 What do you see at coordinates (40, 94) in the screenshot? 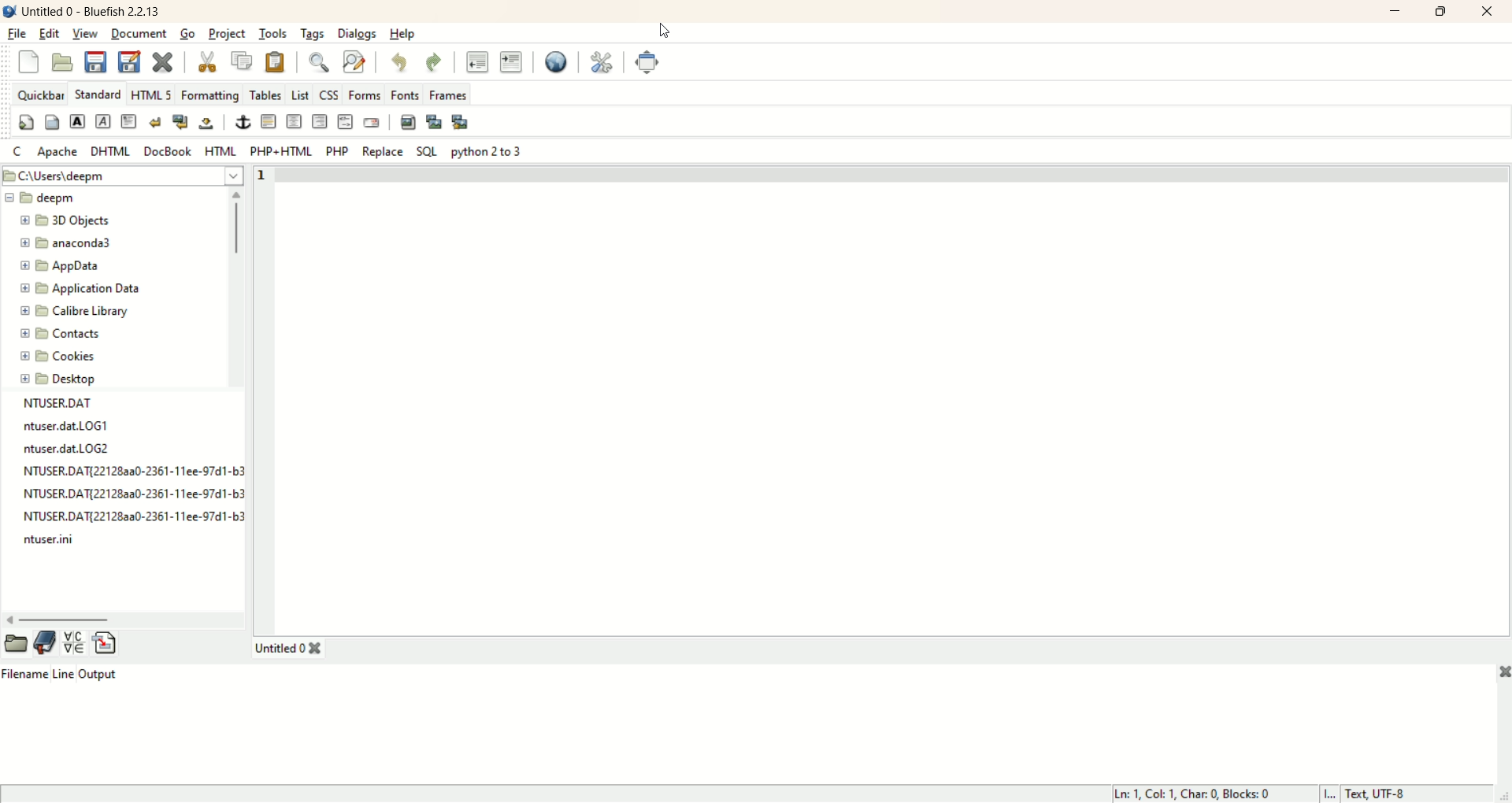
I see `quickbar` at bounding box center [40, 94].